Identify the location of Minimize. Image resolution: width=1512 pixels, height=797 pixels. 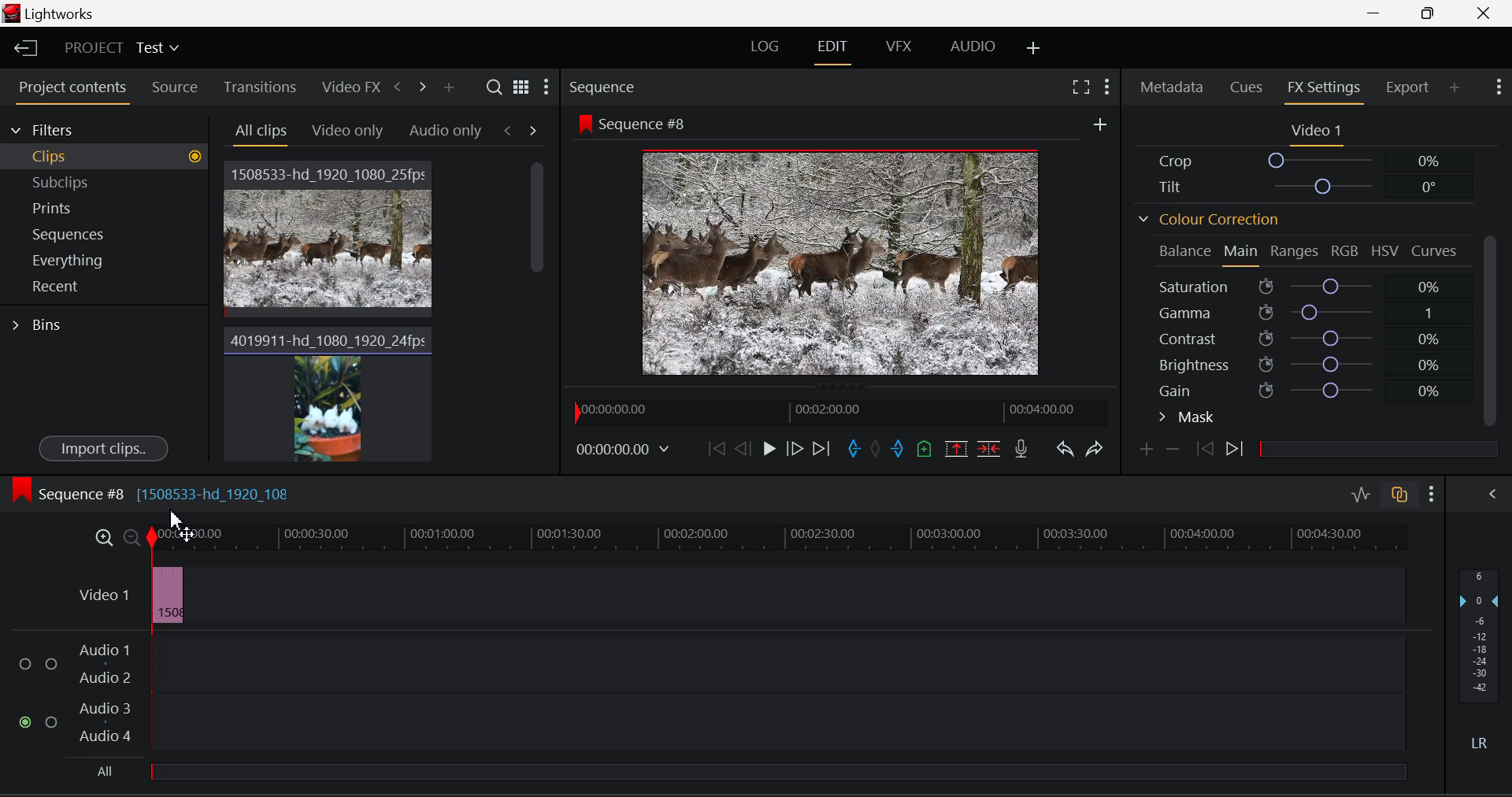
(1430, 13).